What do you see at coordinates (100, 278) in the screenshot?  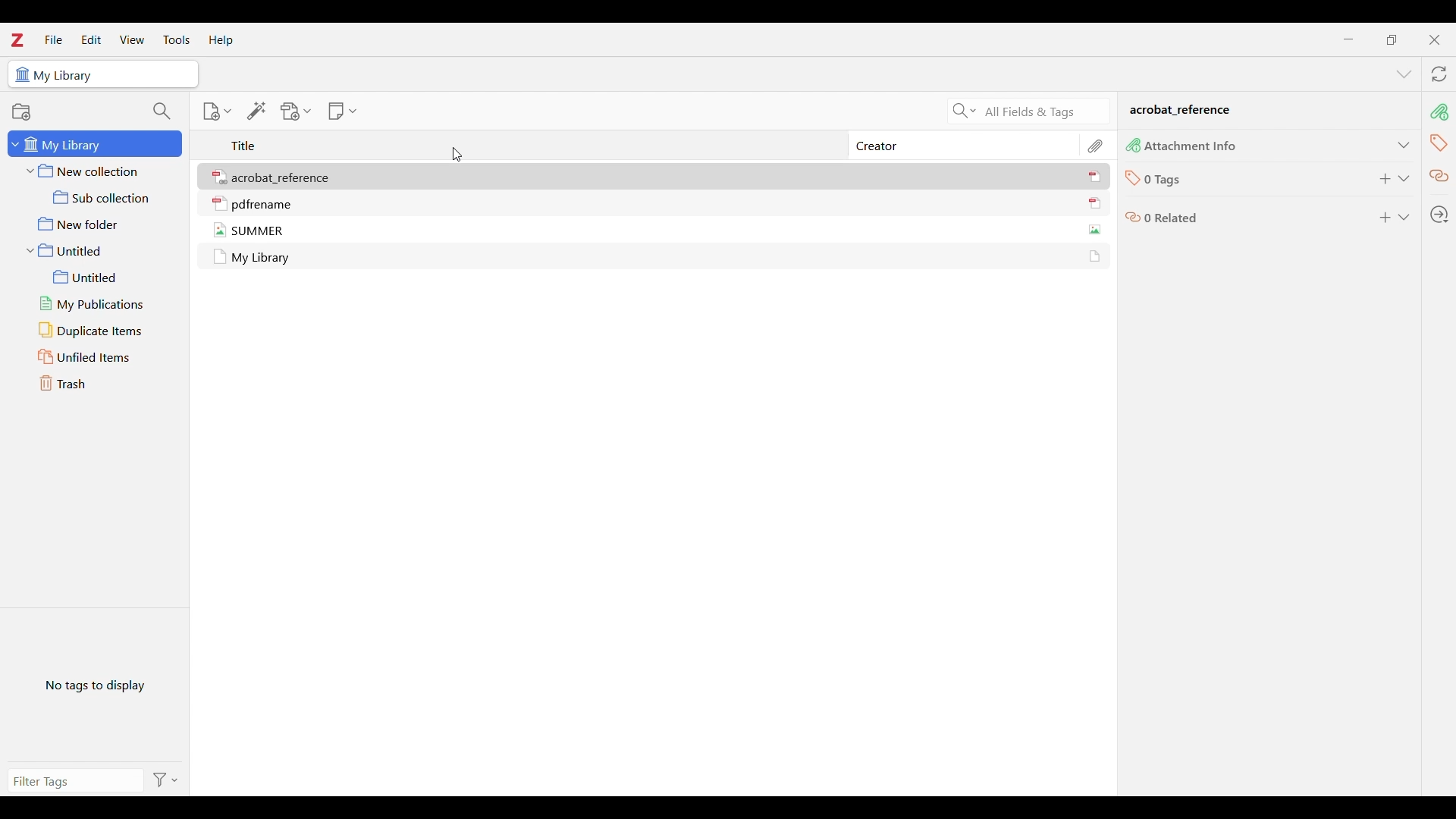 I see `Untitled sub folder` at bounding box center [100, 278].